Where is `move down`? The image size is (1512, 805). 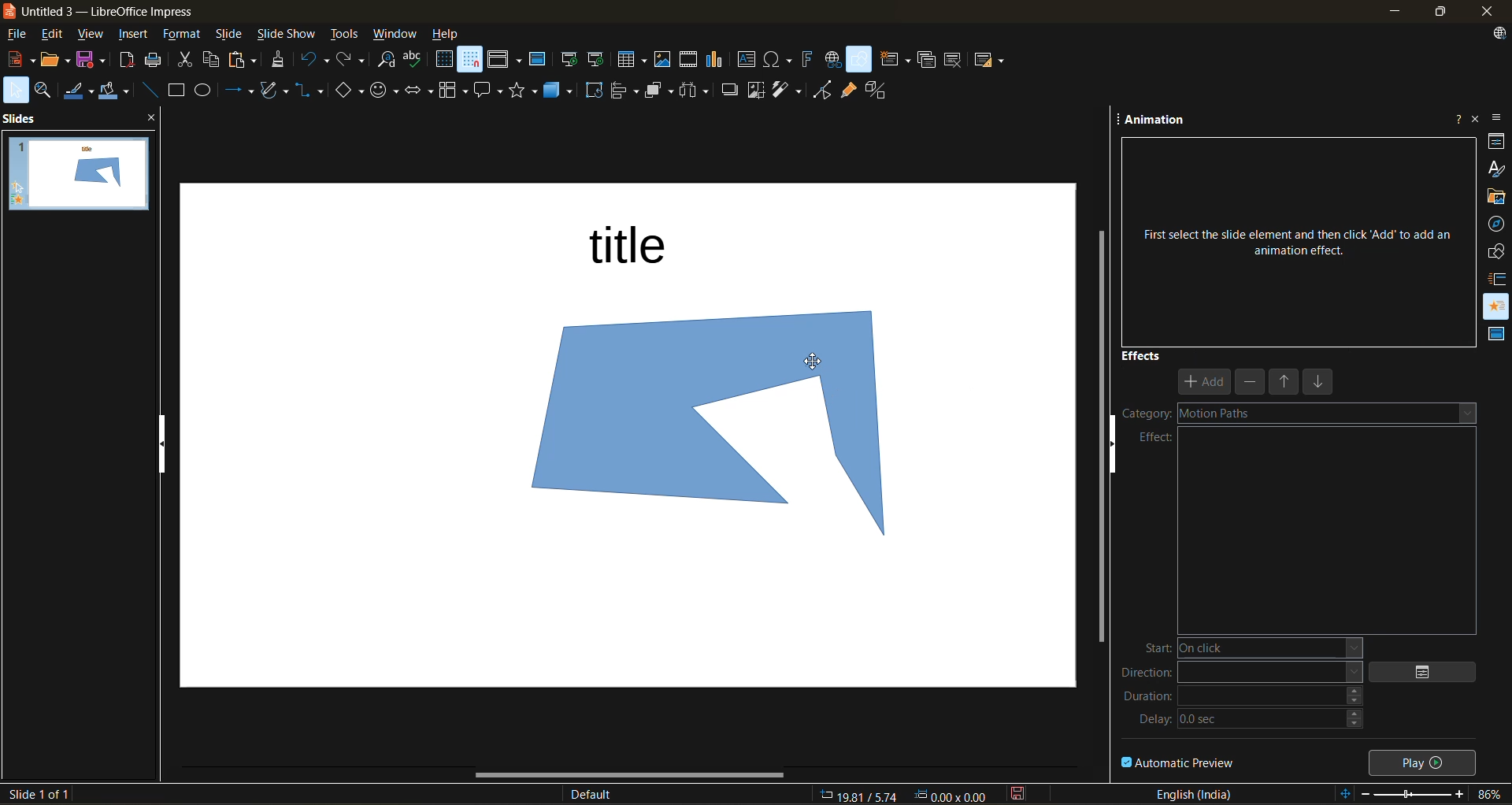
move down is located at coordinates (1317, 384).